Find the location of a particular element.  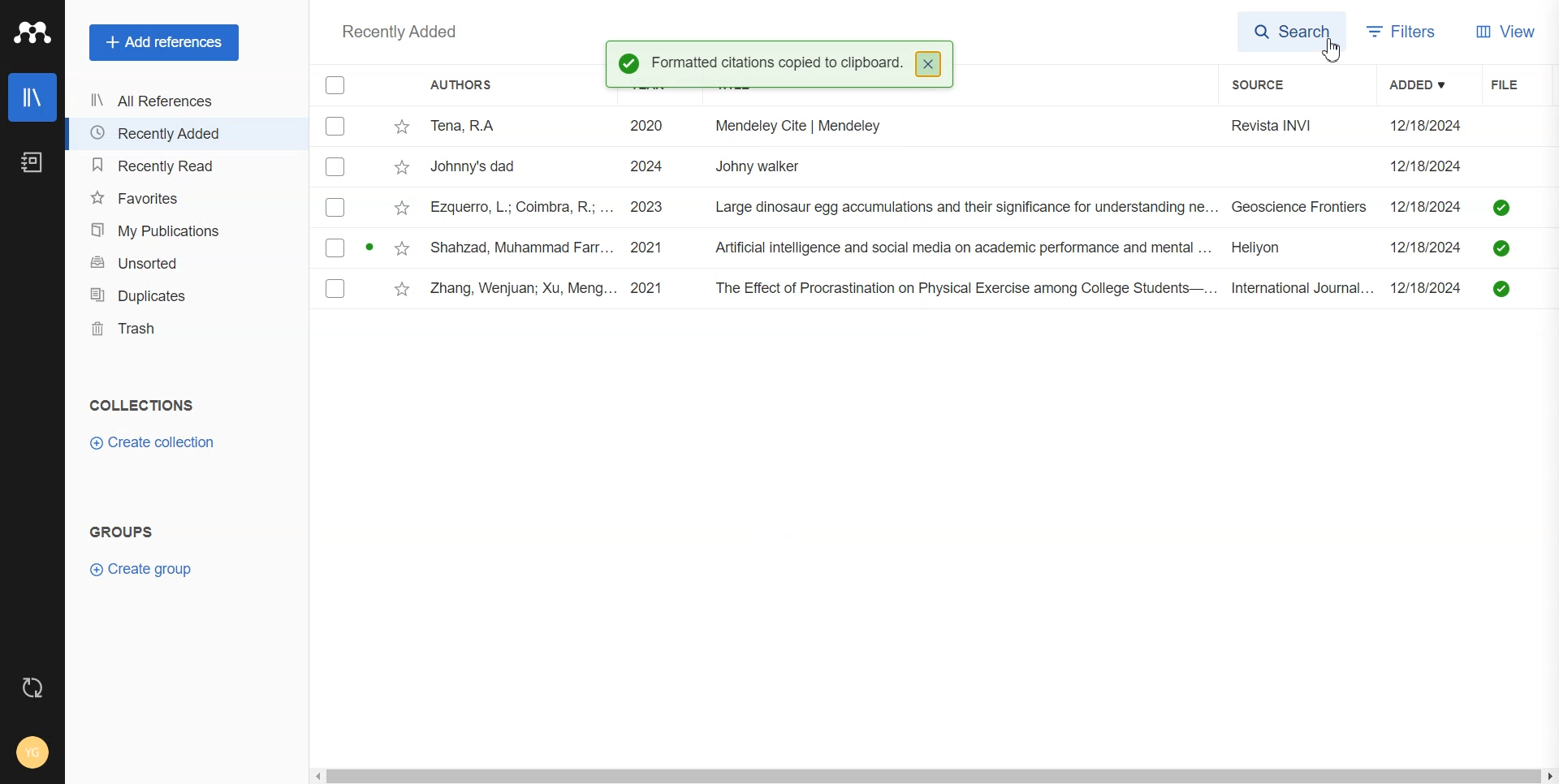

12/18/2024 is located at coordinates (1431, 245).